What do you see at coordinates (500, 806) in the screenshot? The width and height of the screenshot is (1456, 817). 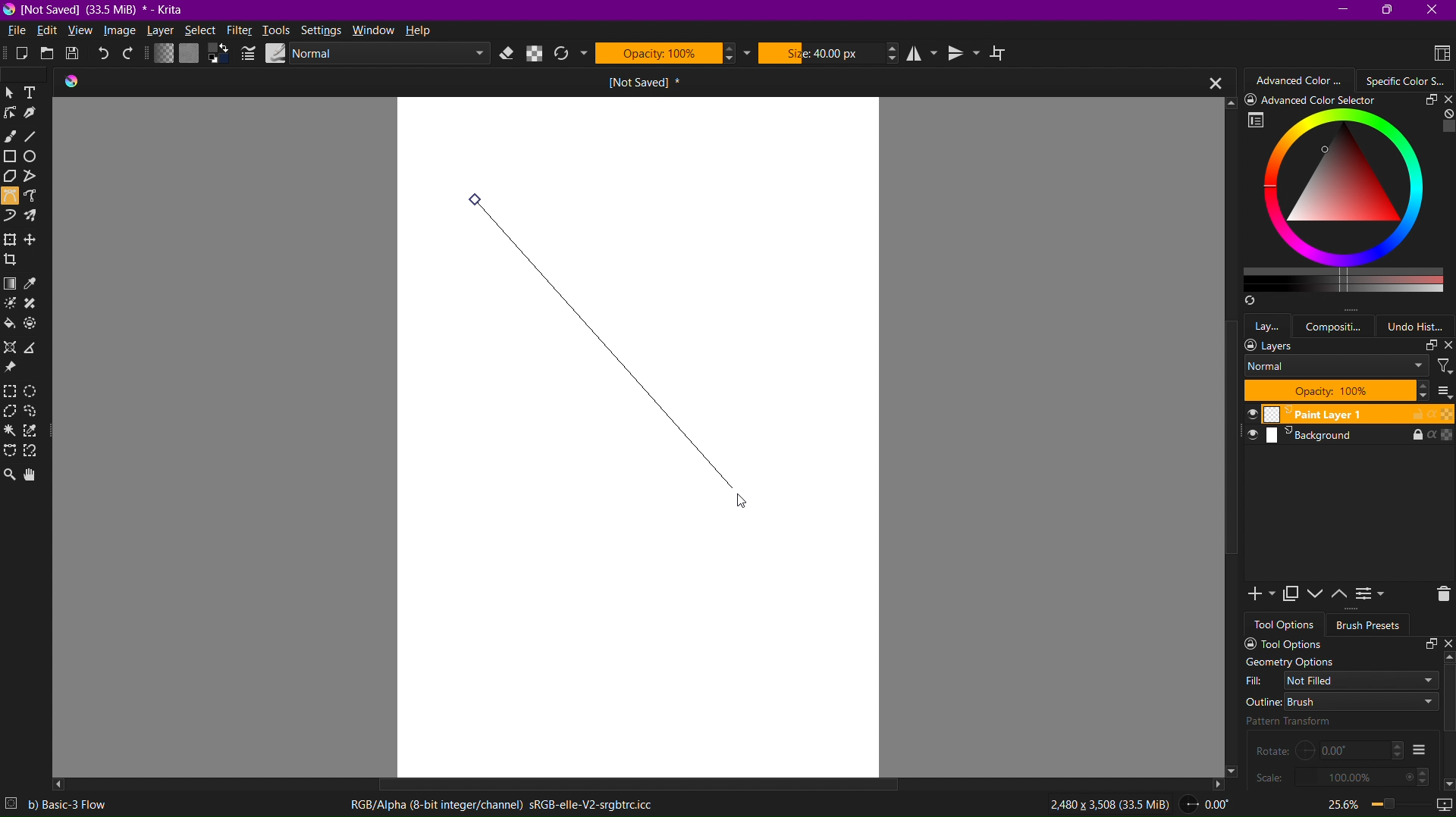 I see `RGB/Alpha(8-bit integer/channel)` at bounding box center [500, 806].